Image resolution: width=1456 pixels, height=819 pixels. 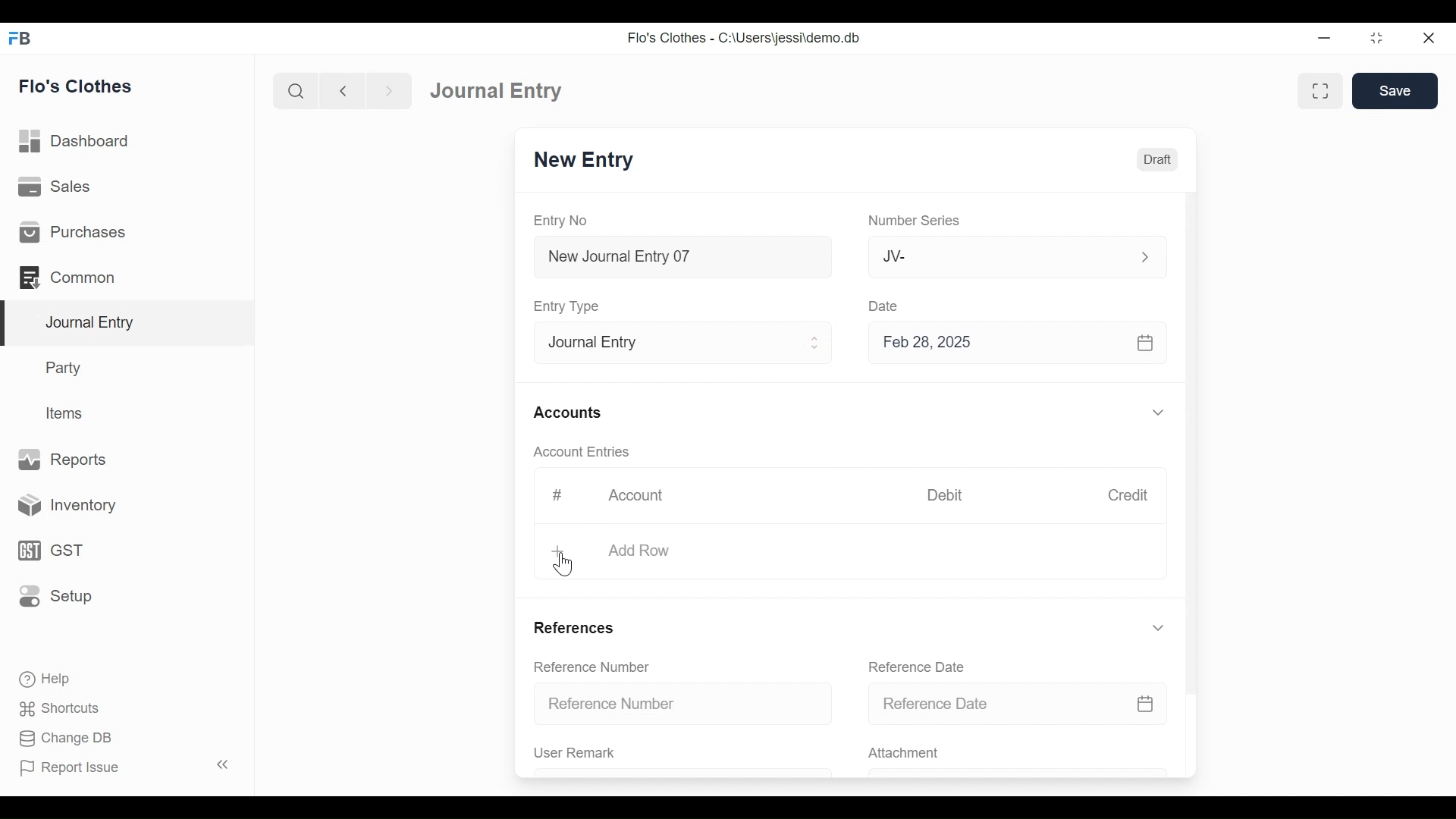 What do you see at coordinates (581, 451) in the screenshot?
I see `Account Entries` at bounding box center [581, 451].